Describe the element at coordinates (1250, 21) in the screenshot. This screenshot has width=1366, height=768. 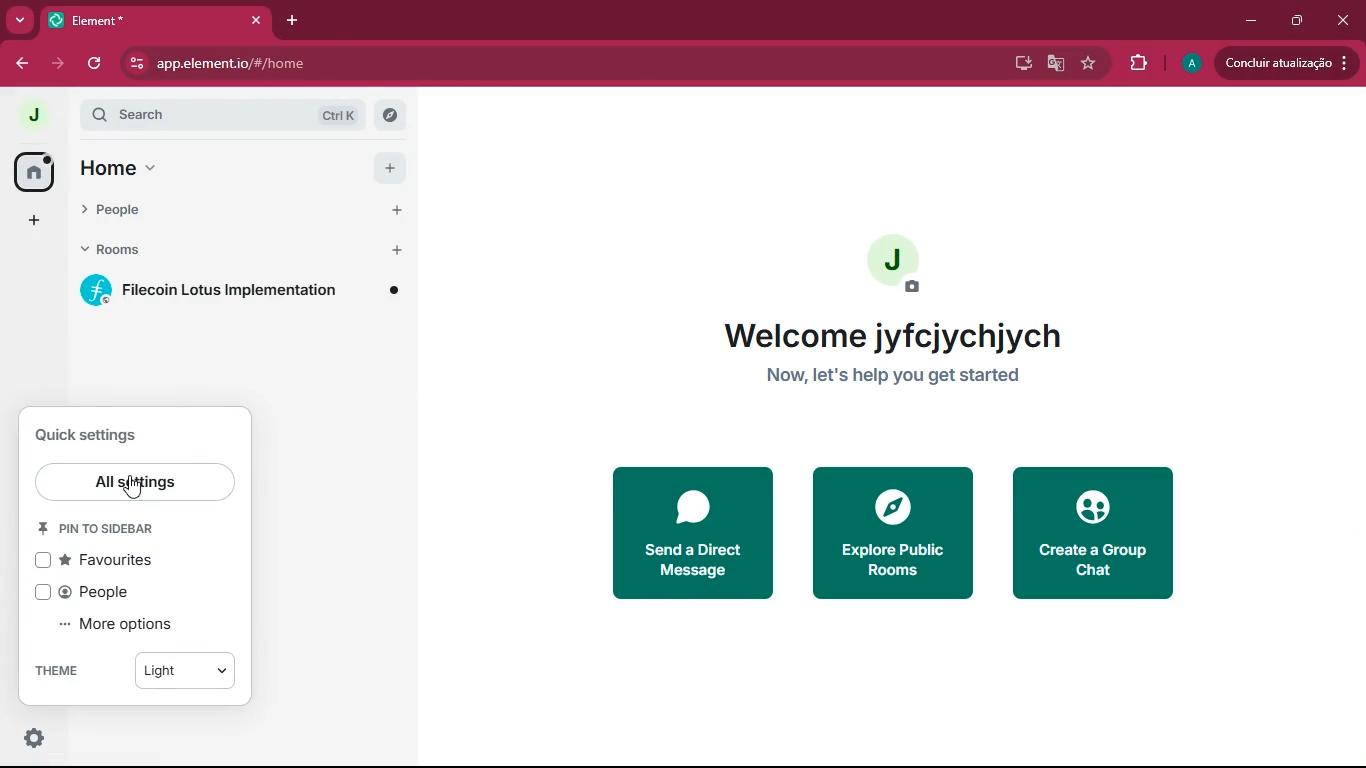
I see `minimize` at that location.